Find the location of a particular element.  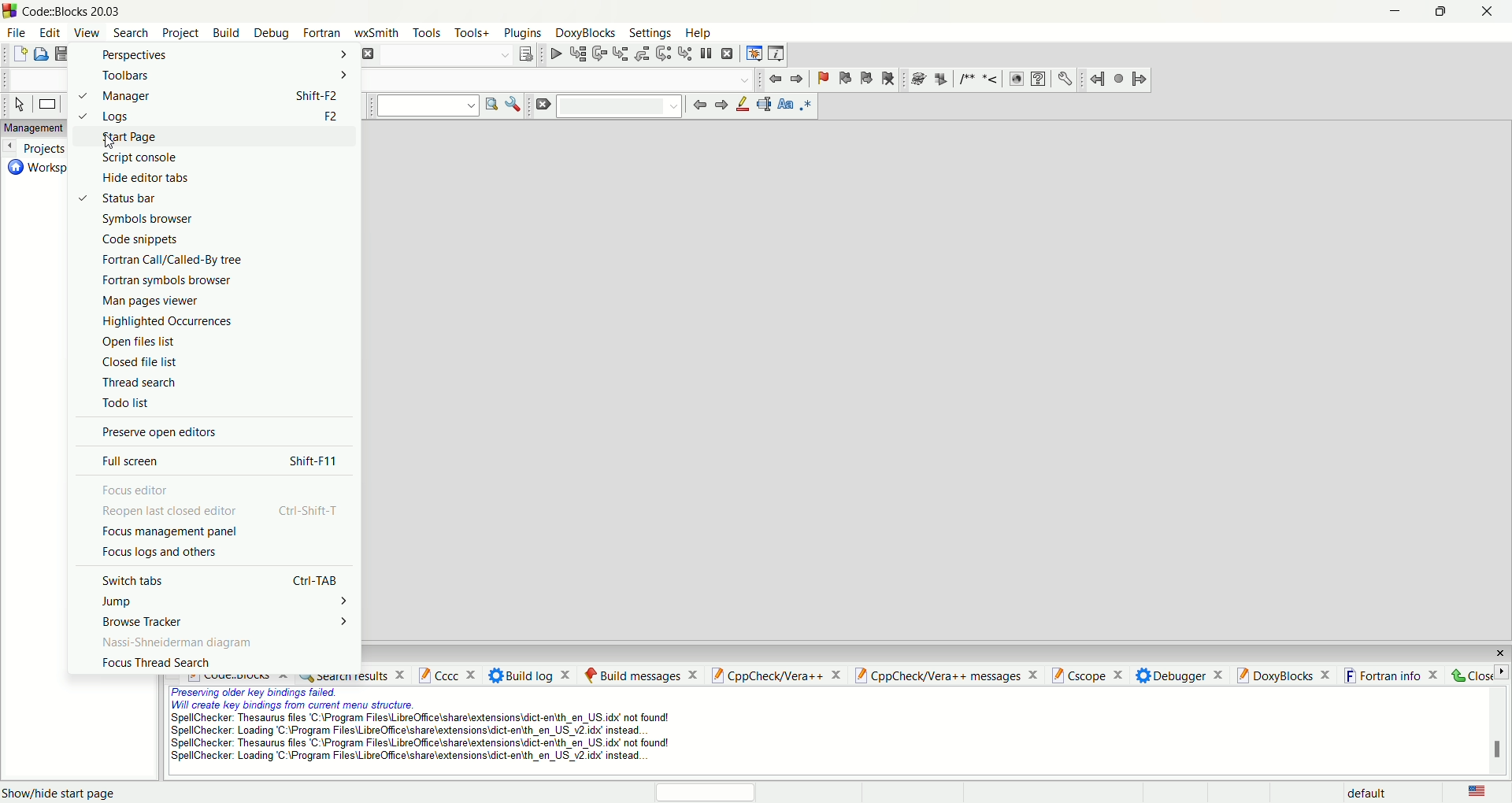

step into instruction is located at coordinates (685, 54).